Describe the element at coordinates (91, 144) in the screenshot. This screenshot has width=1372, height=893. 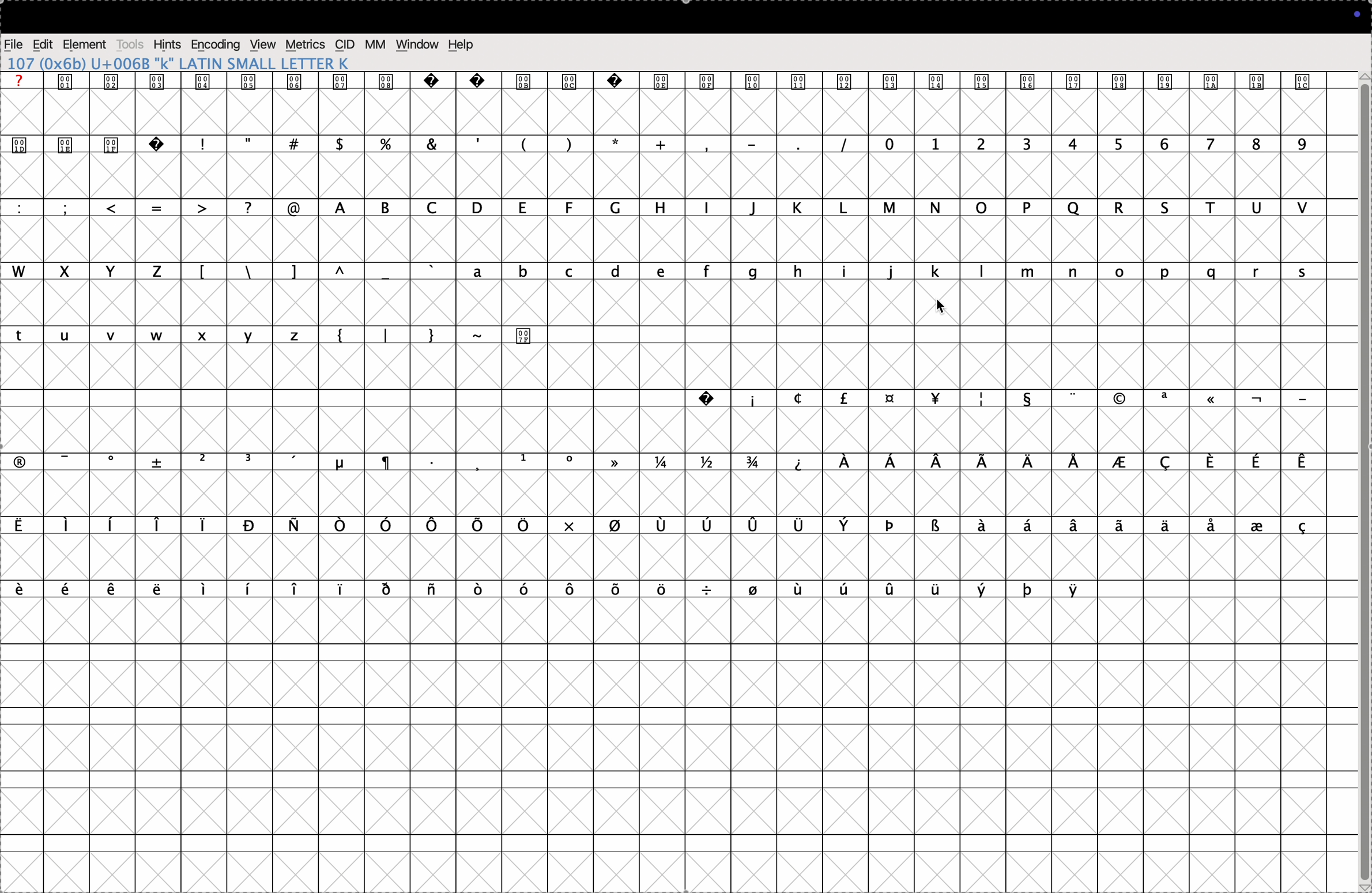
I see `special characters` at that location.